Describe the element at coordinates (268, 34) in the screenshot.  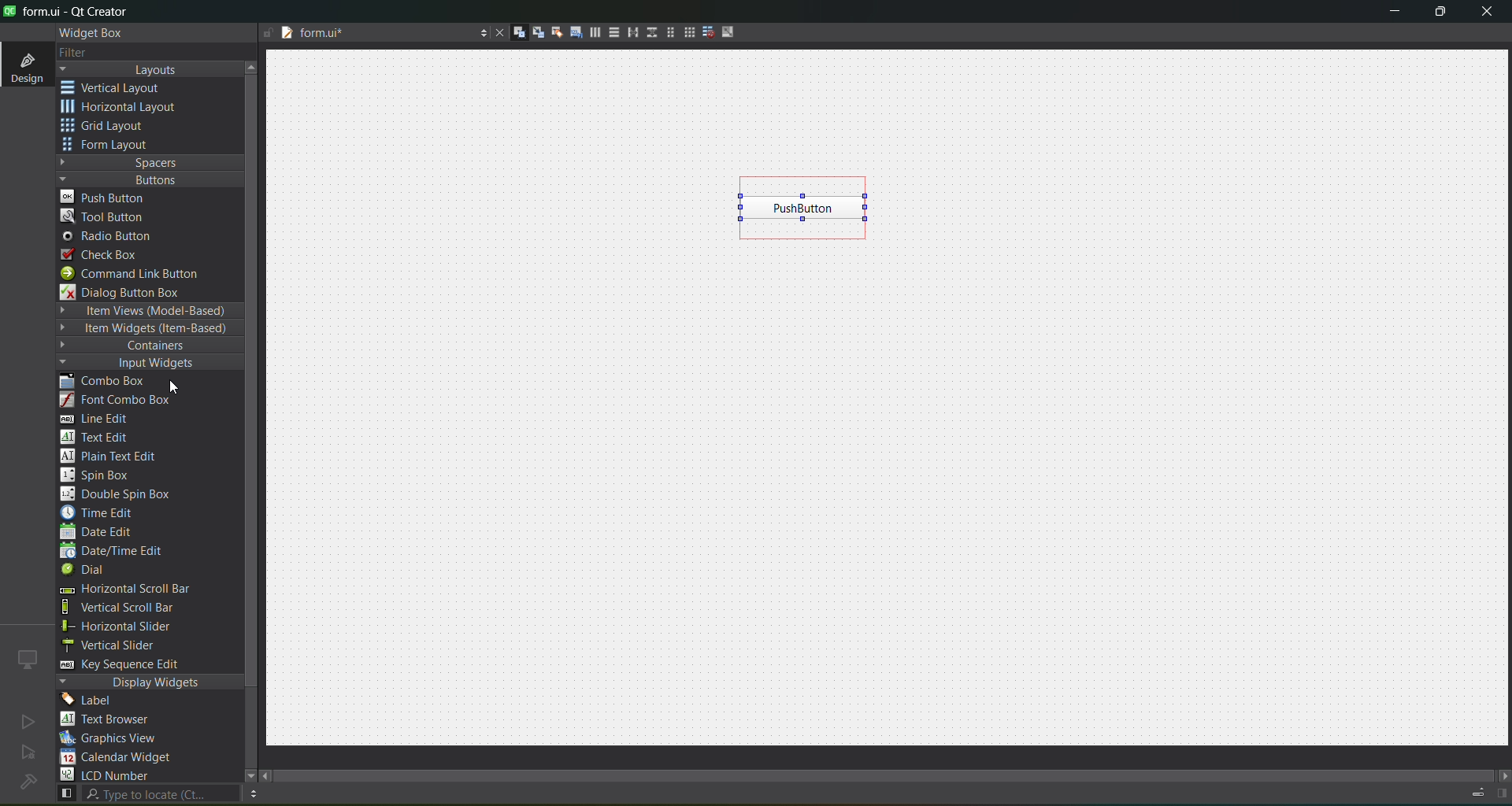
I see `file is writable` at that location.